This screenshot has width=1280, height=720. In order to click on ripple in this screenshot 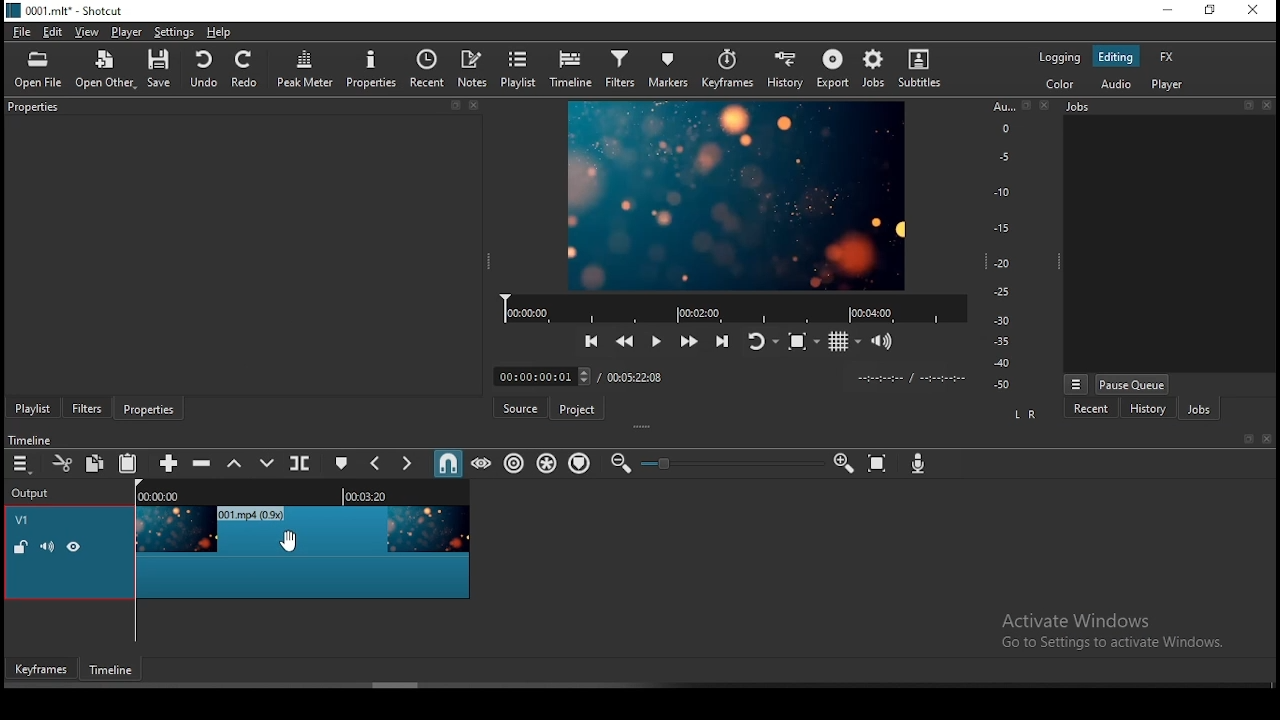, I will do `click(513, 462)`.